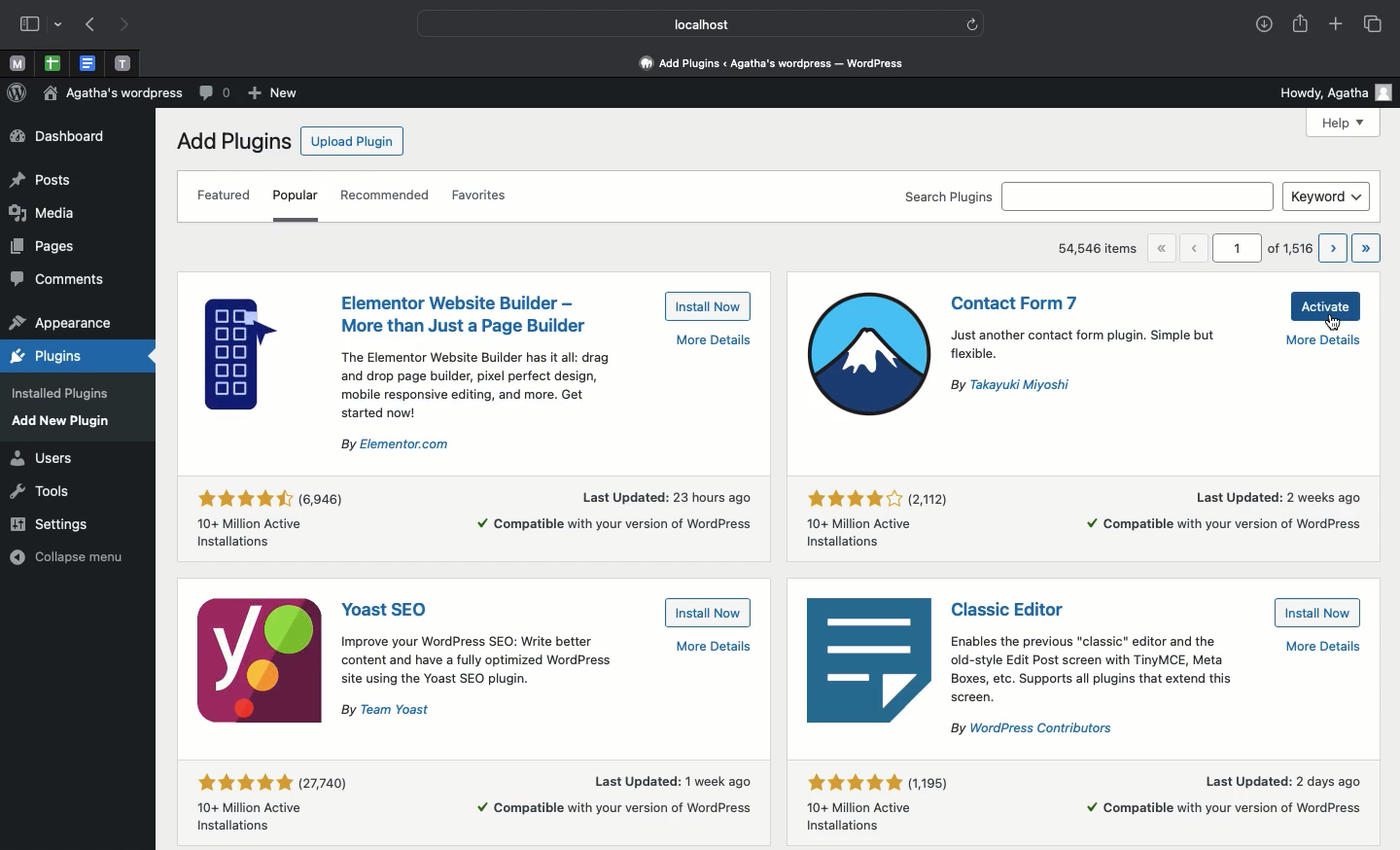 The height and width of the screenshot is (850, 1400). Describe the element at coordinates (1139, 195) in the screenshot. I see `search bar` at that location.